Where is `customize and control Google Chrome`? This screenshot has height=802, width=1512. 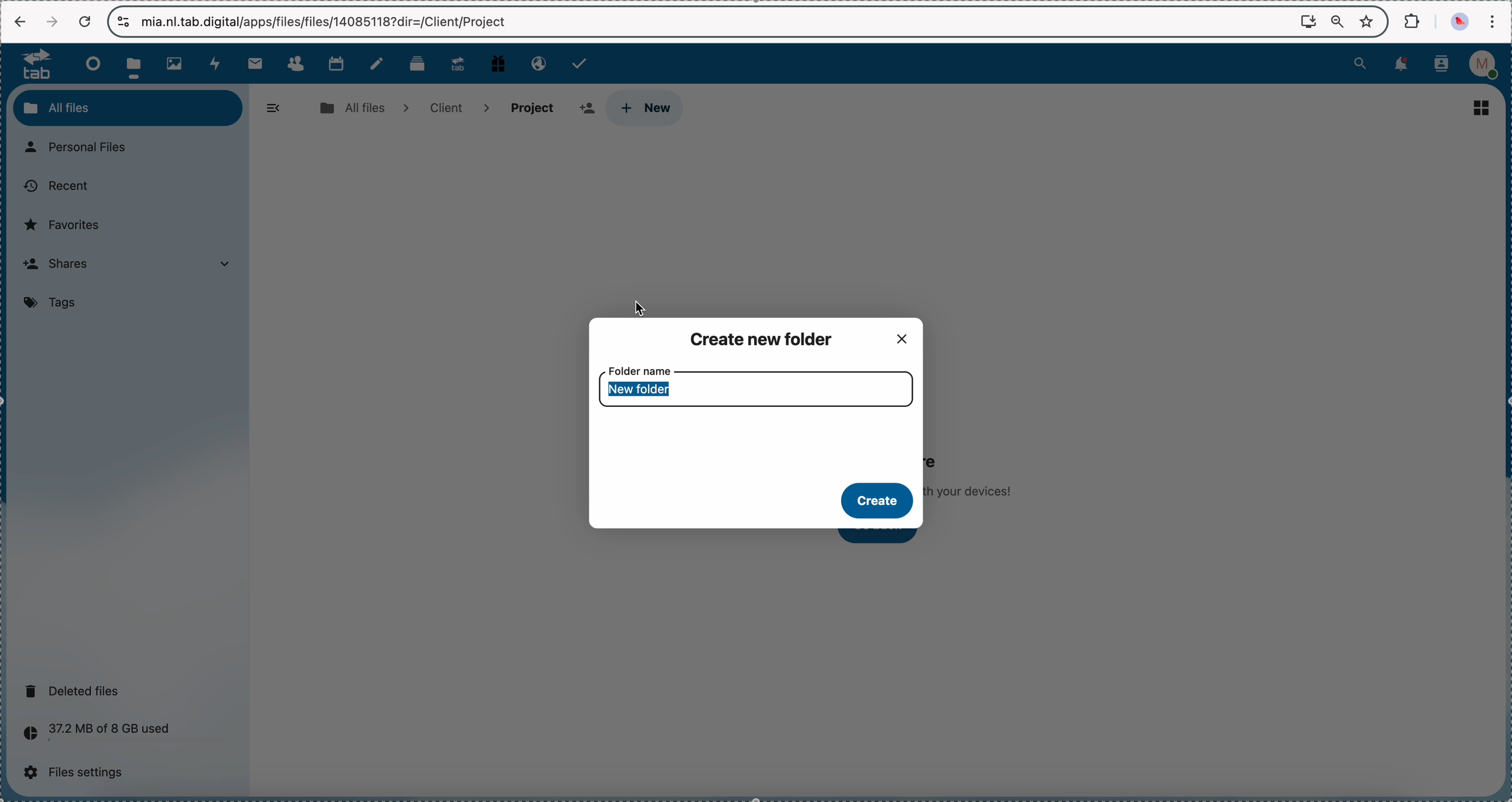 customize and control Google Chrome is located at coordinates (1491, 21).